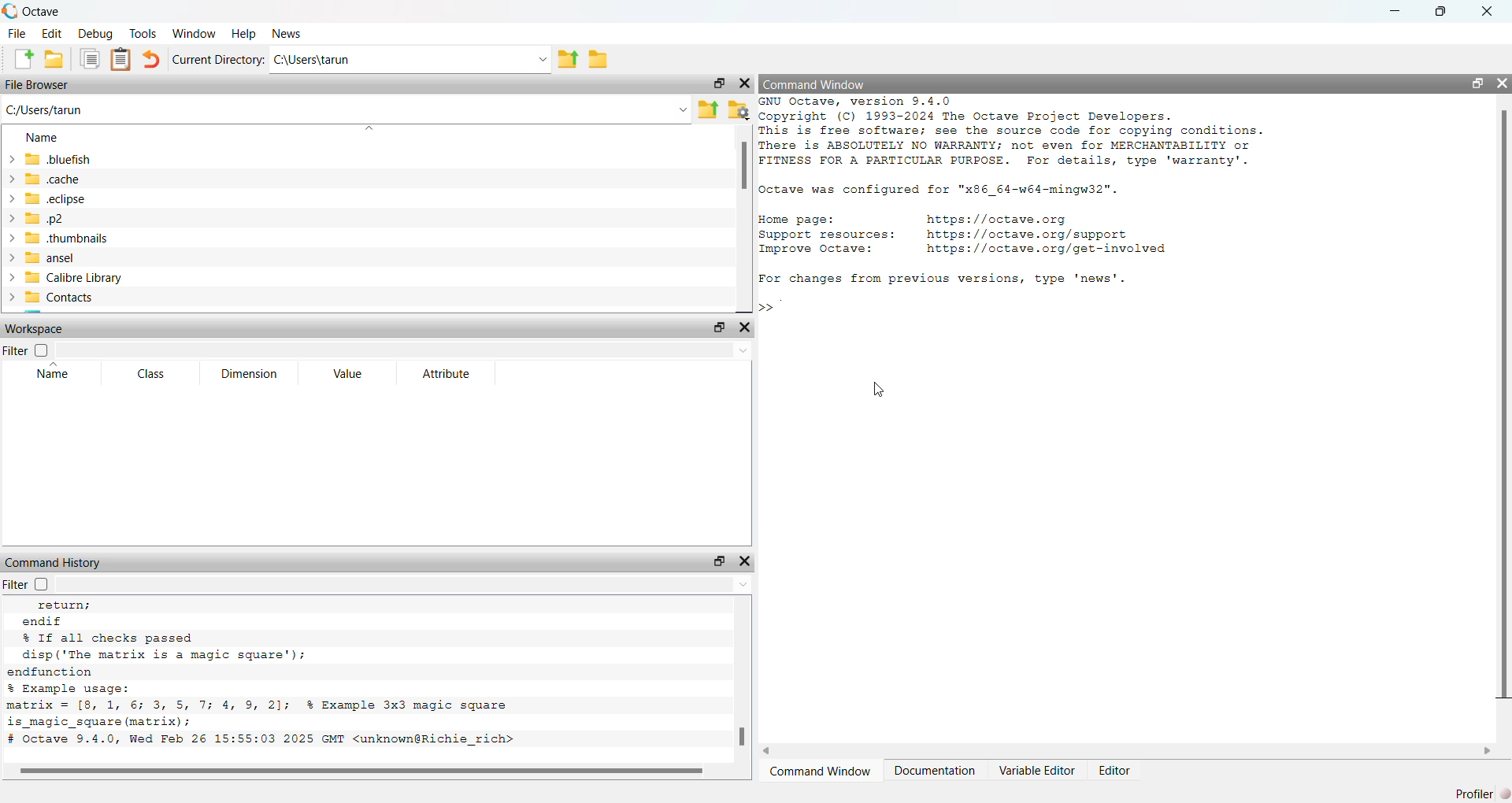  Describe the element at coordinates (1440, 11) in the screenshot. I see `maximize` at that location.